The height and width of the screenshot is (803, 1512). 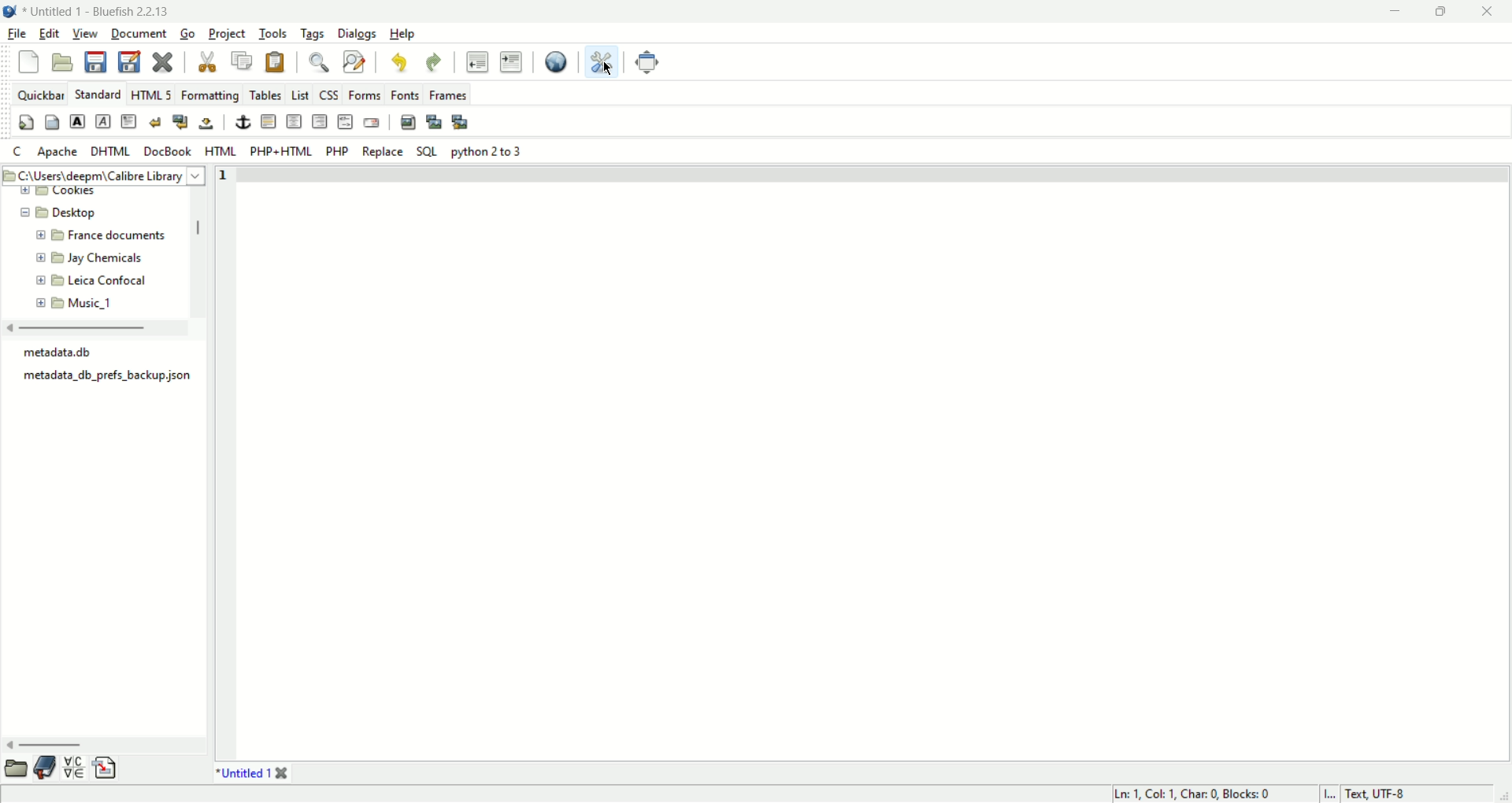 What do you see at coordinates (435, 123) in the screenshot?
I see `insert thumbnail` at bounding box center [435, 123].